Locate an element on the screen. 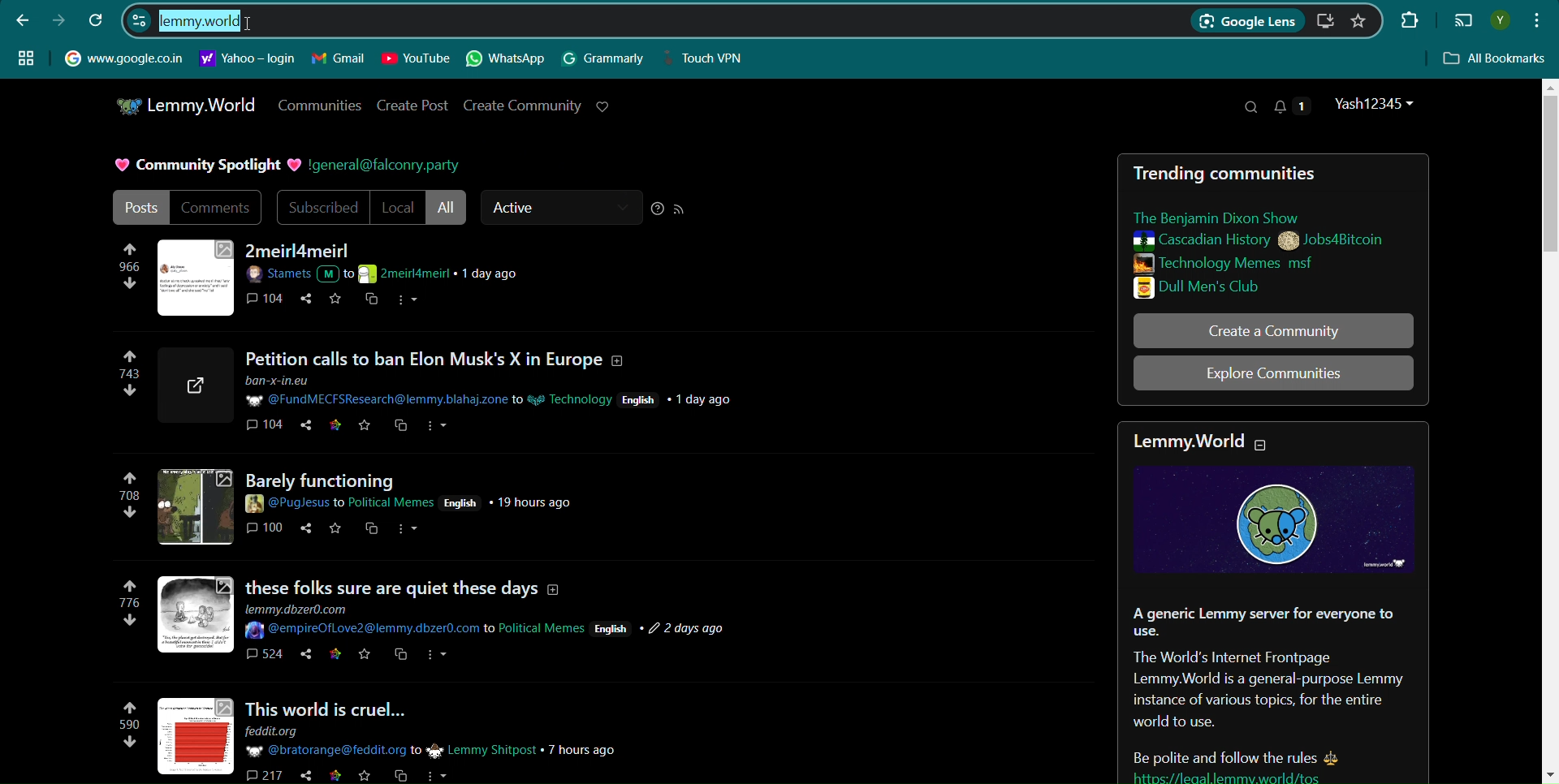 Image resolution: width=1559 pixels, height=784 pixels. Tag group is located at coordinates (26, 57).